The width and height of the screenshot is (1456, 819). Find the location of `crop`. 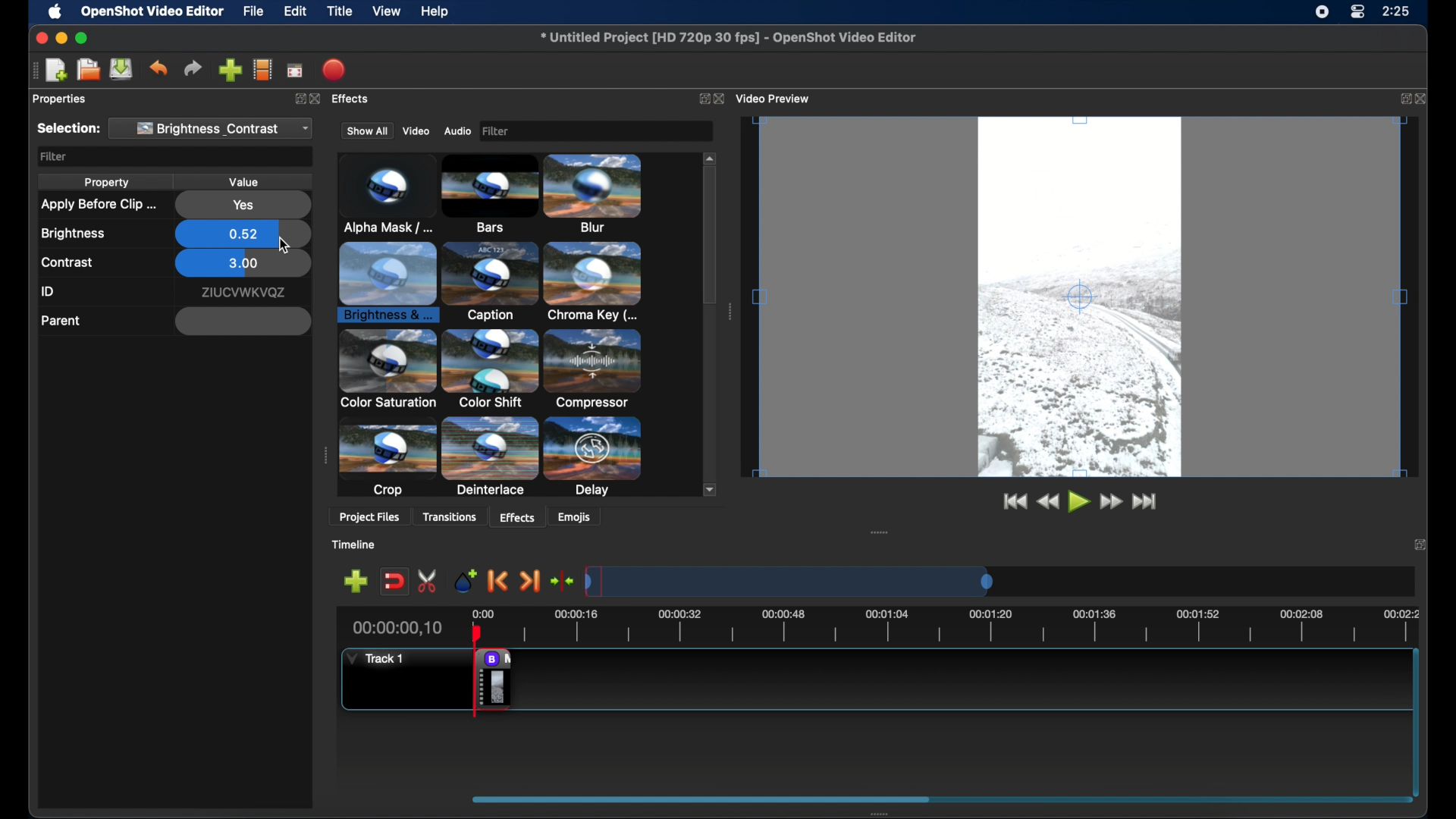

crop is located at coordinates (390, 370).